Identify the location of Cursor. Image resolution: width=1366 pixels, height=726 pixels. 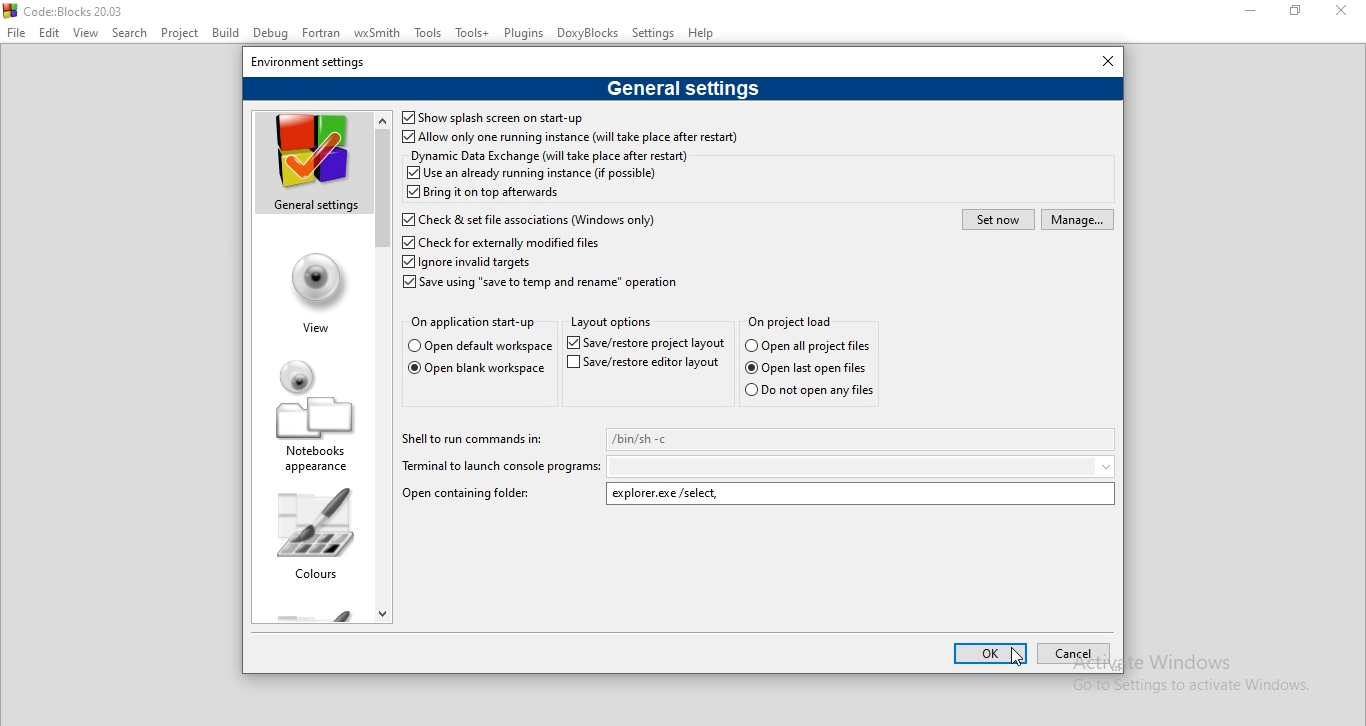
(1013, 656).